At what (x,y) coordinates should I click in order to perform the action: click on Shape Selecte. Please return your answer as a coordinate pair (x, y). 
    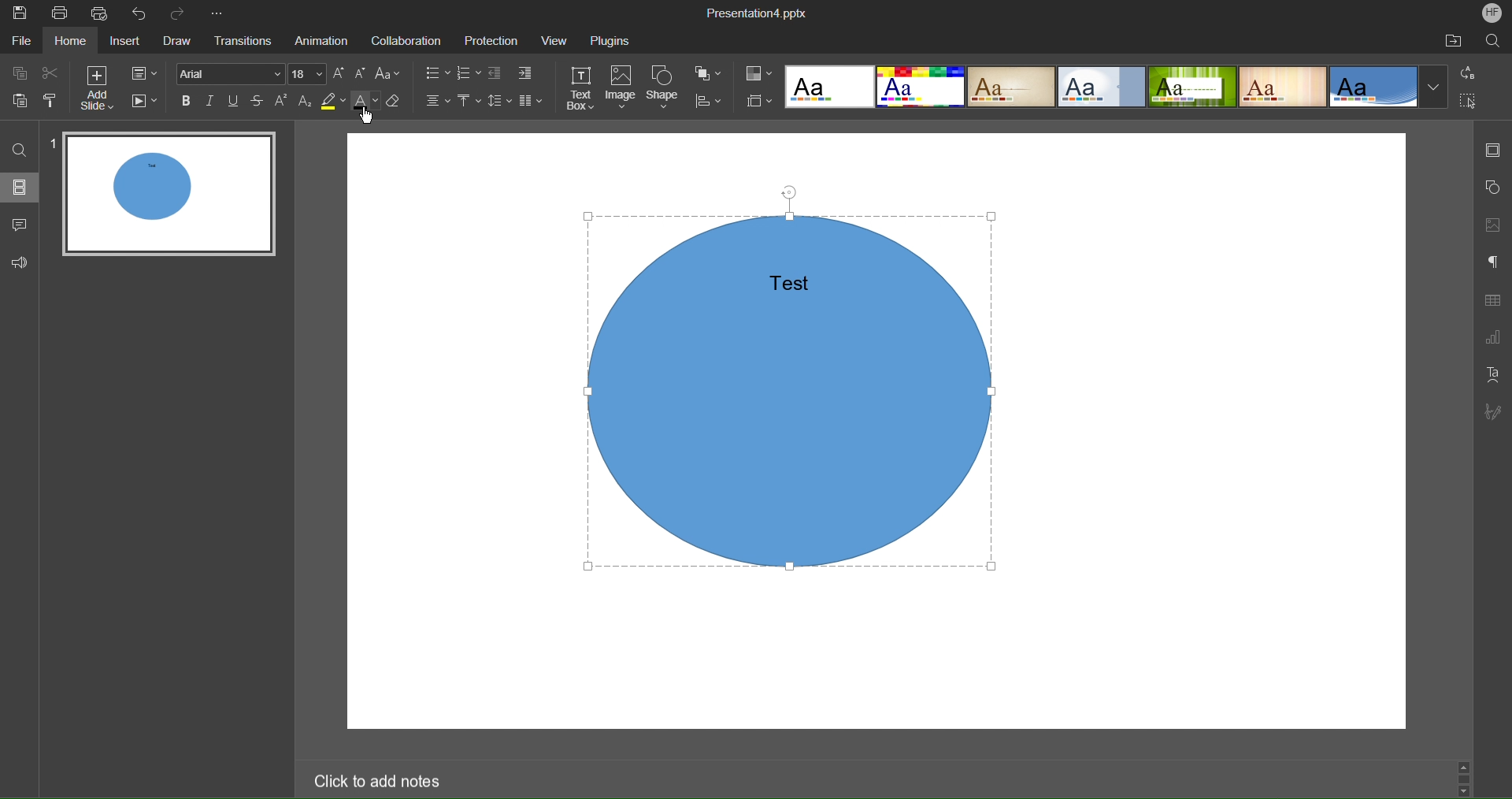
    Looking at the image, I should click on (796, 392).